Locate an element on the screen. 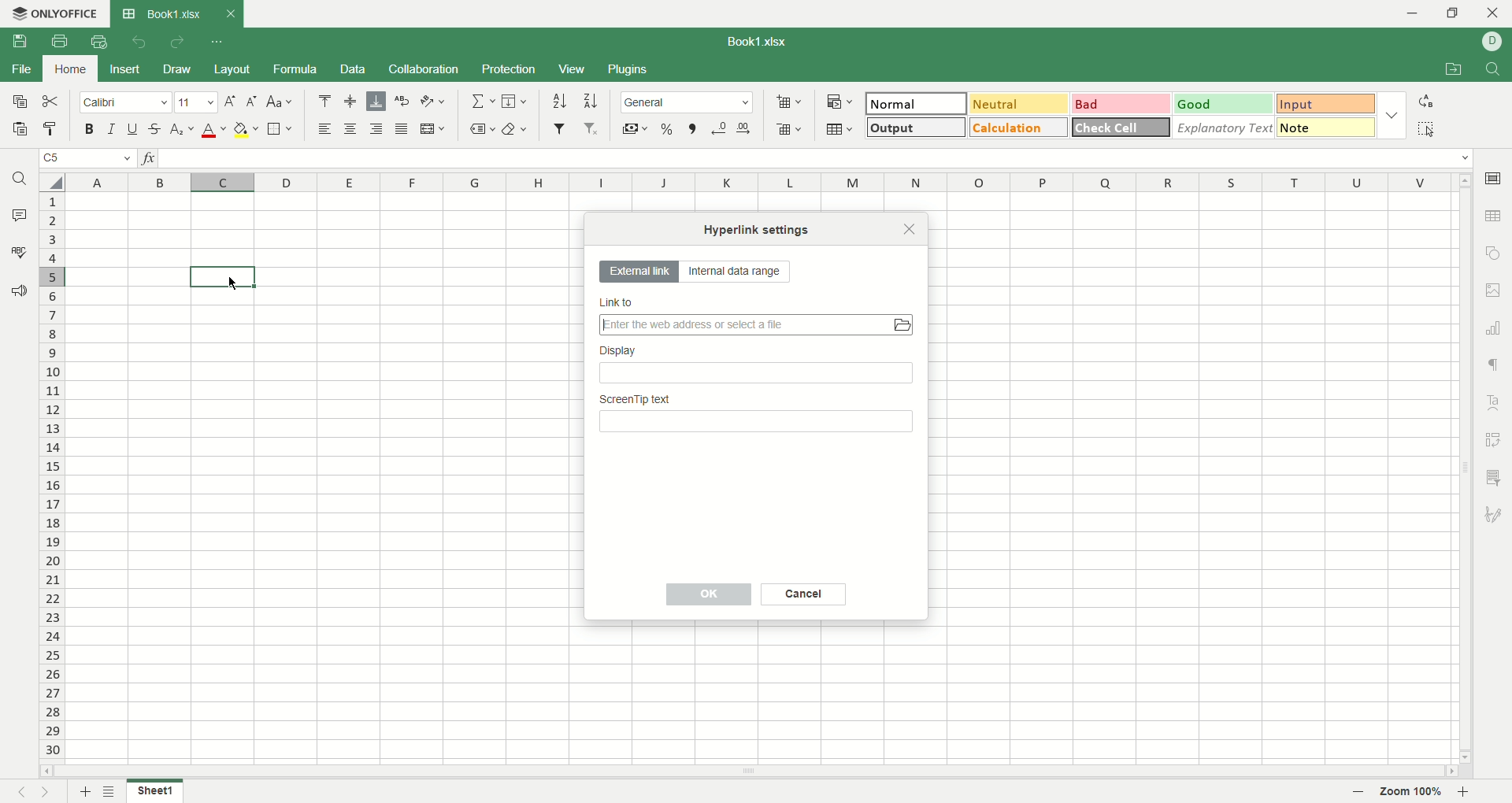 The width and height of the screenshot is (1512, 803). collaboration is located at coordinates (424, 71).